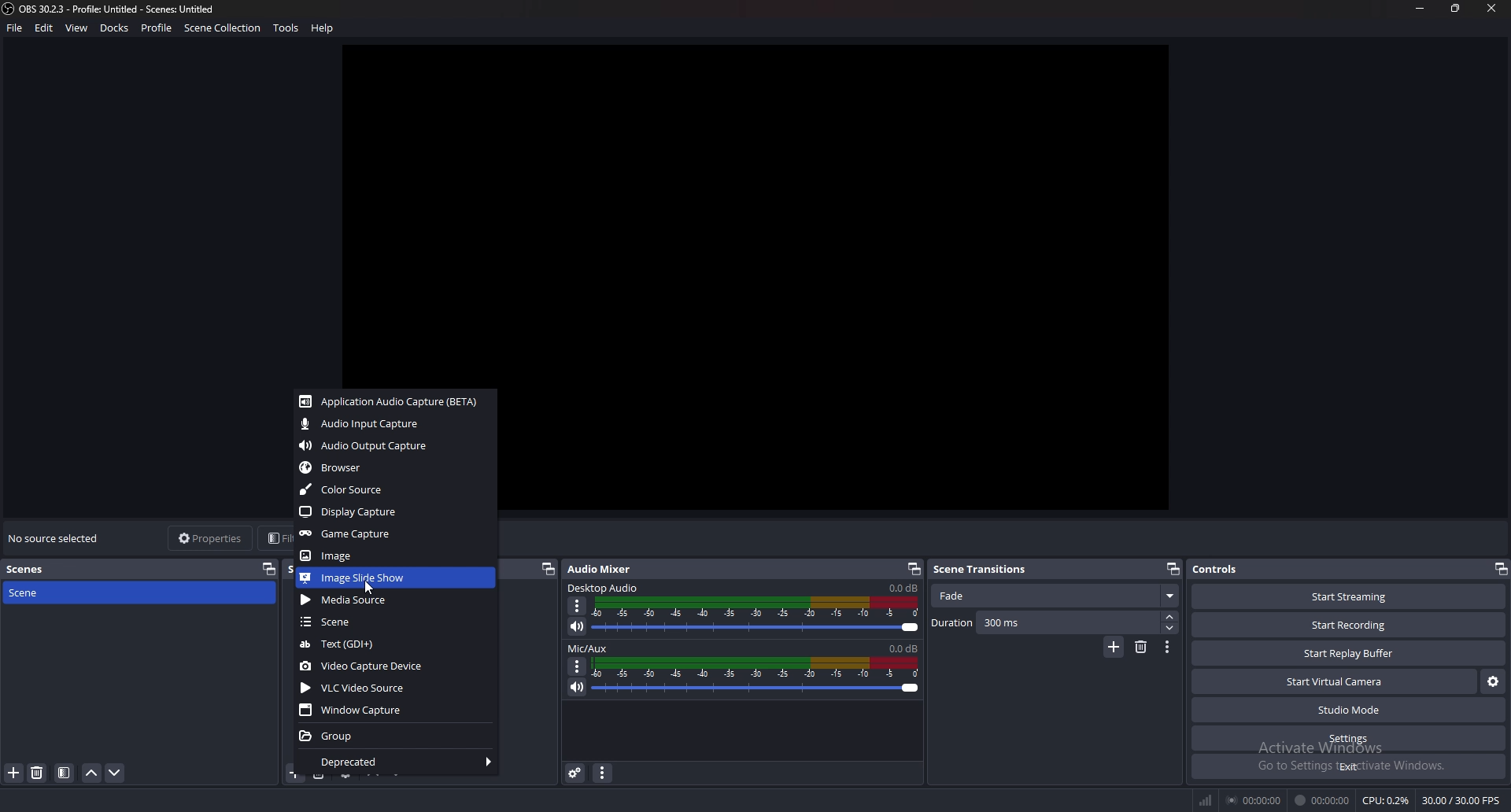 This screenshot has width=1511, height=812. What do you see at coordinates (396, 688) in the screenshot?
I see `vlc video source` at bounding box center [396, 688].